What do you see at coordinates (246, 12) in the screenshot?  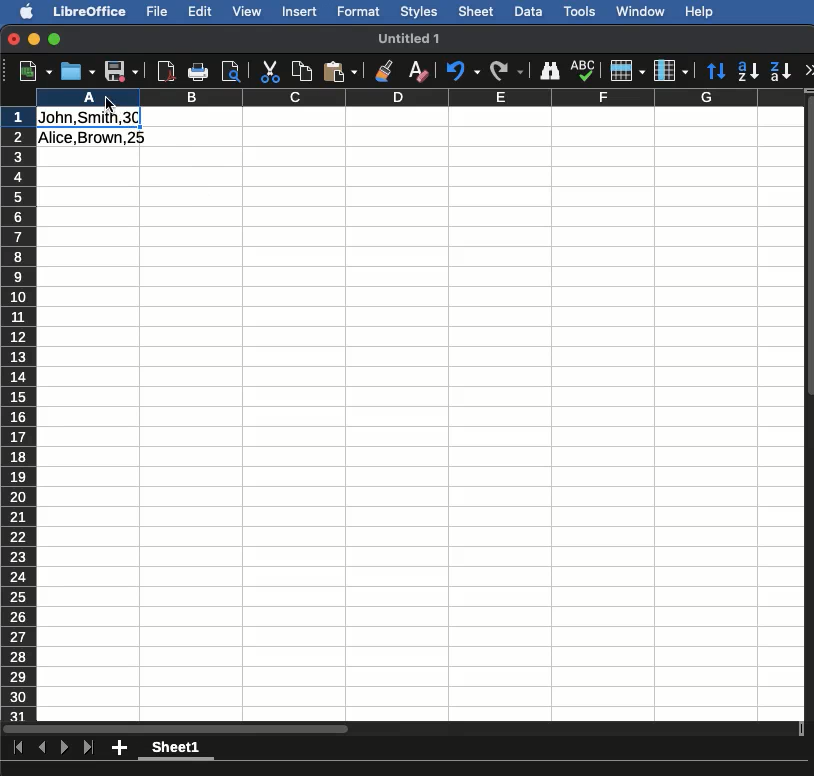 I see `View` at bounding box center [246, 12].